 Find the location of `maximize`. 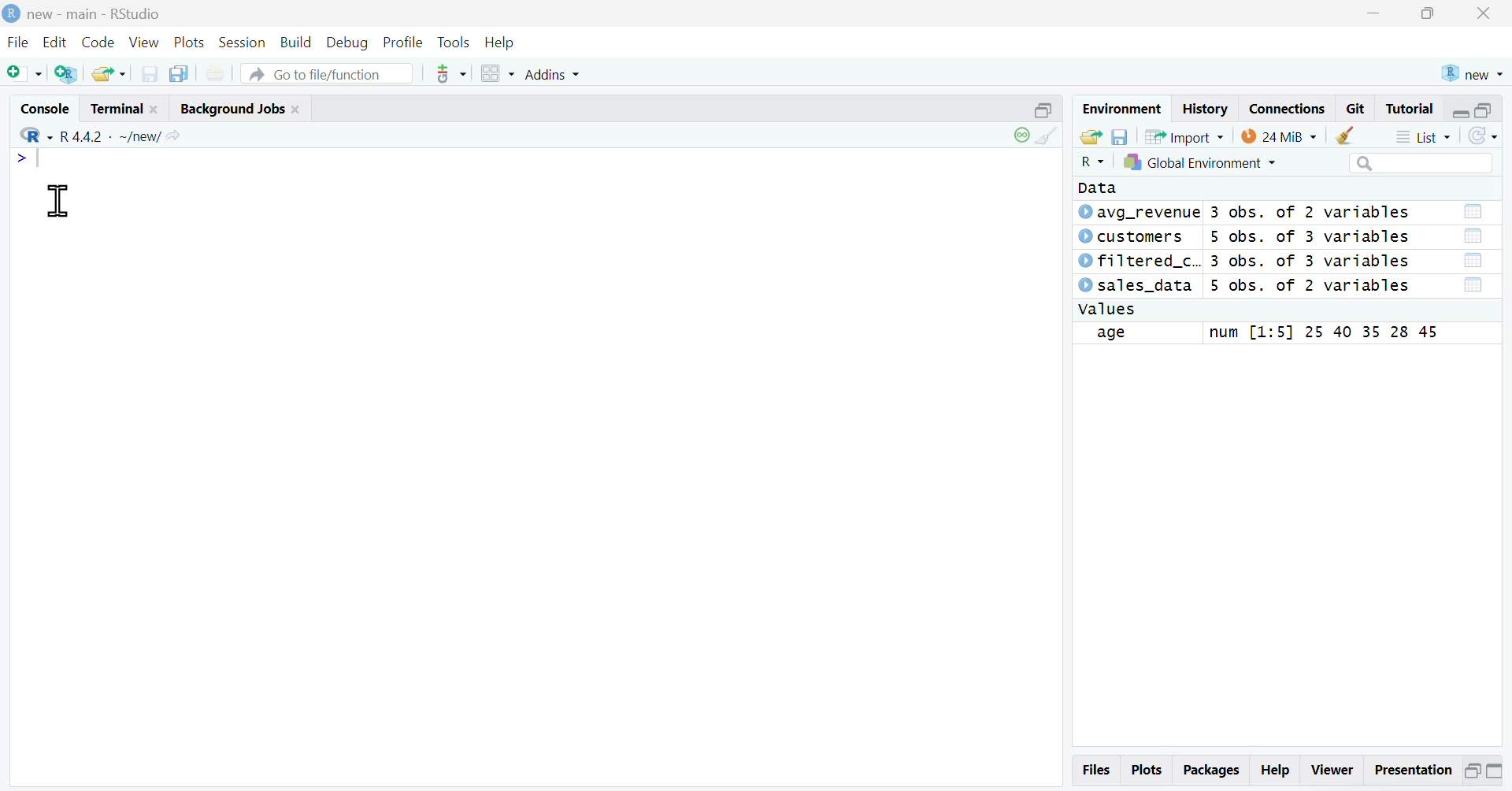

maximize is located at coordinates (1425, 14).